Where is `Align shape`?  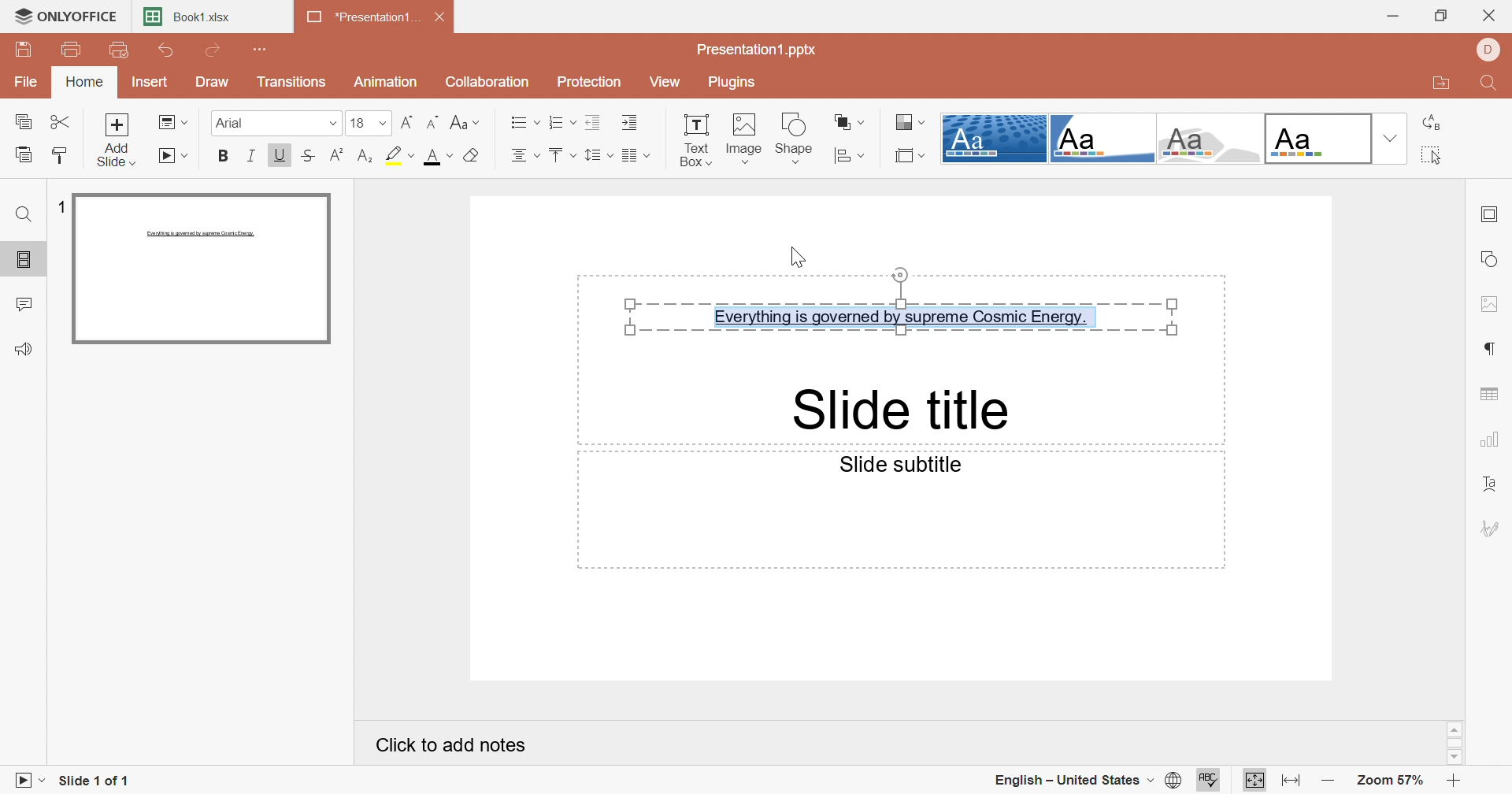 Align shape is located at coordinates (850, 154).